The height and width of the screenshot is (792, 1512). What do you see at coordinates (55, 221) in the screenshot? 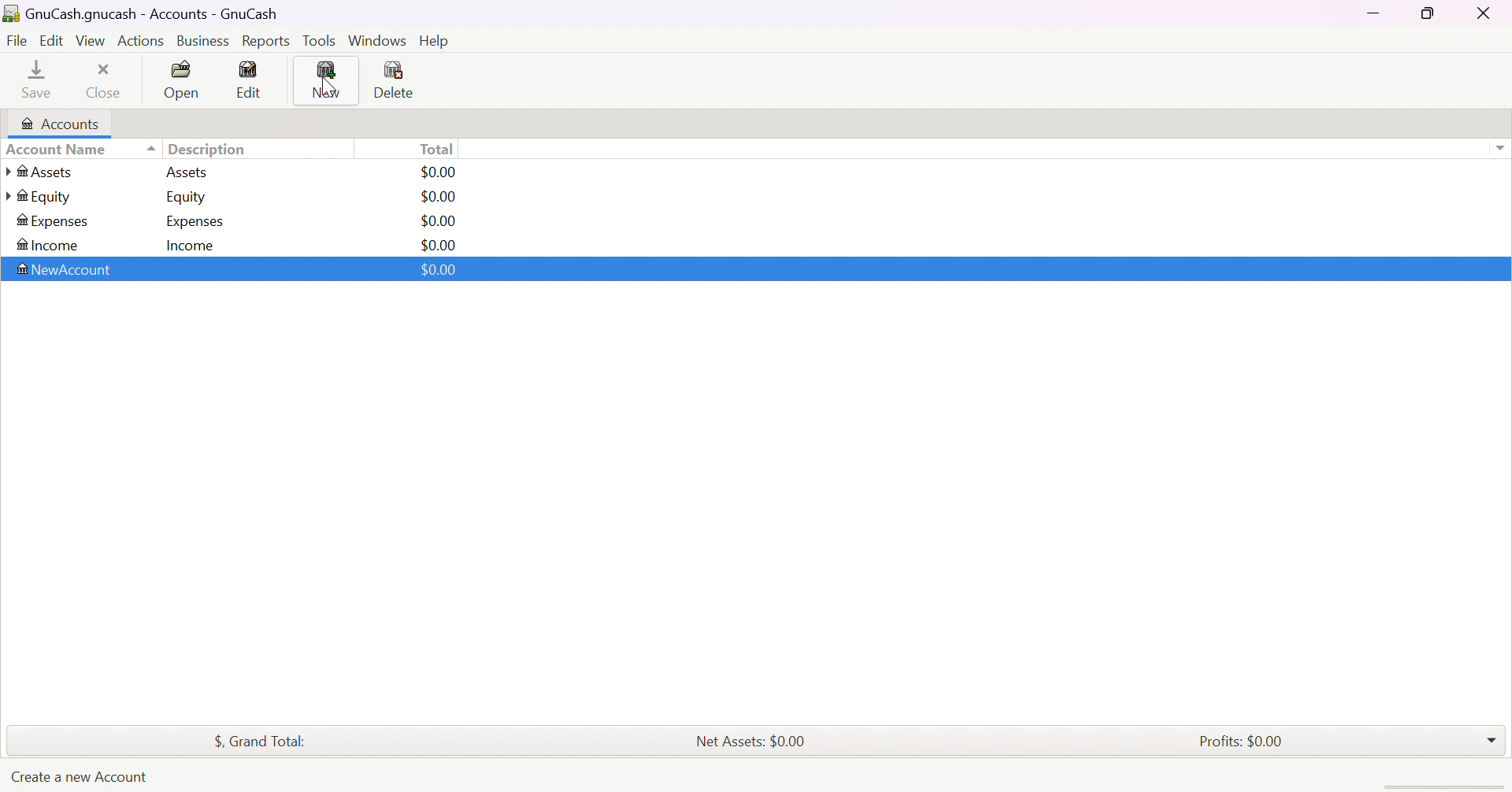
I see `Expenses` at bounding box center [55, 221].